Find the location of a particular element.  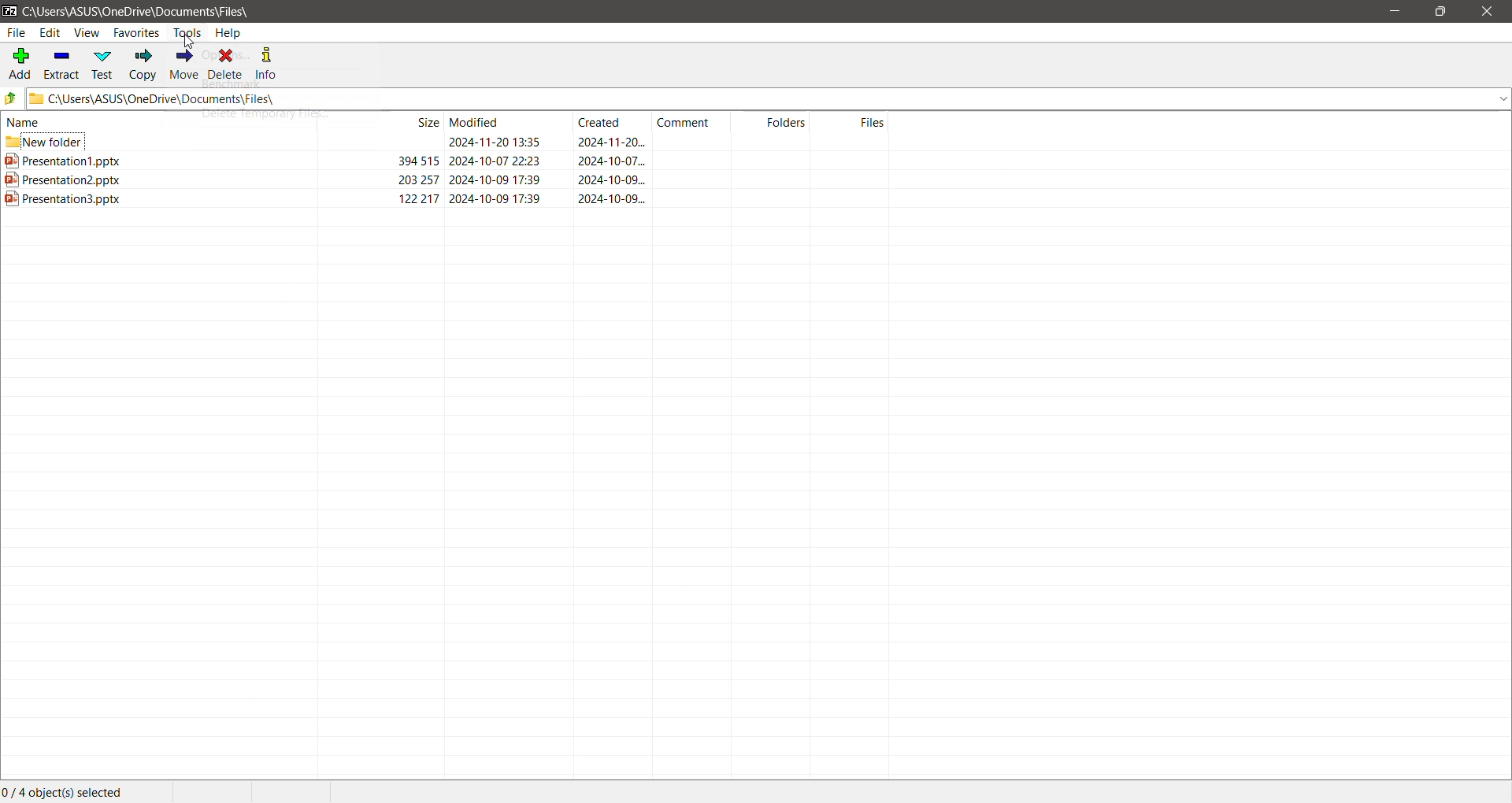

Move Up one level is located at coordinates (13, 99).